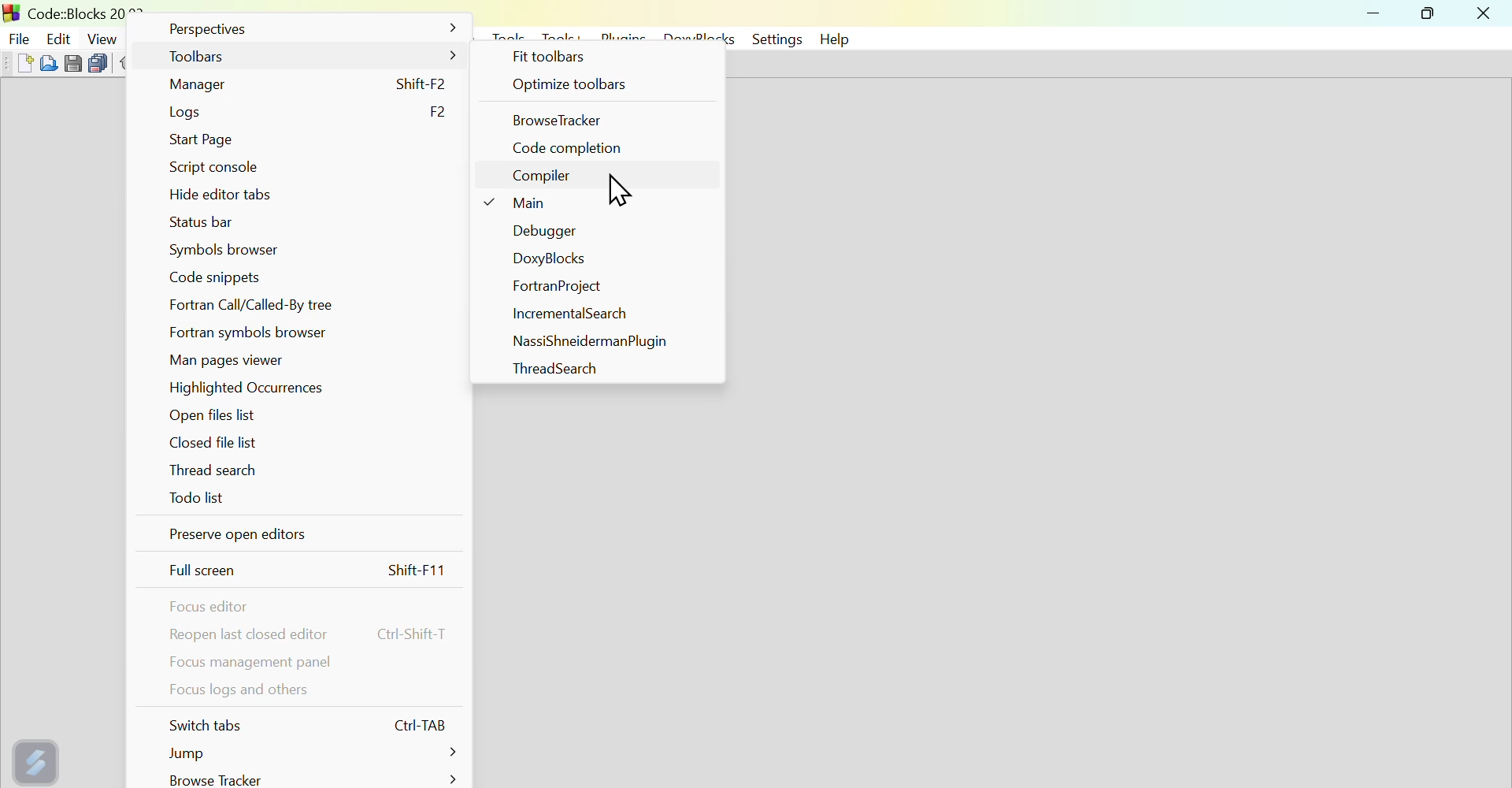  Describe the element at coordinates (308, 32) in the screenshot. I see `Perspectives` at that location.